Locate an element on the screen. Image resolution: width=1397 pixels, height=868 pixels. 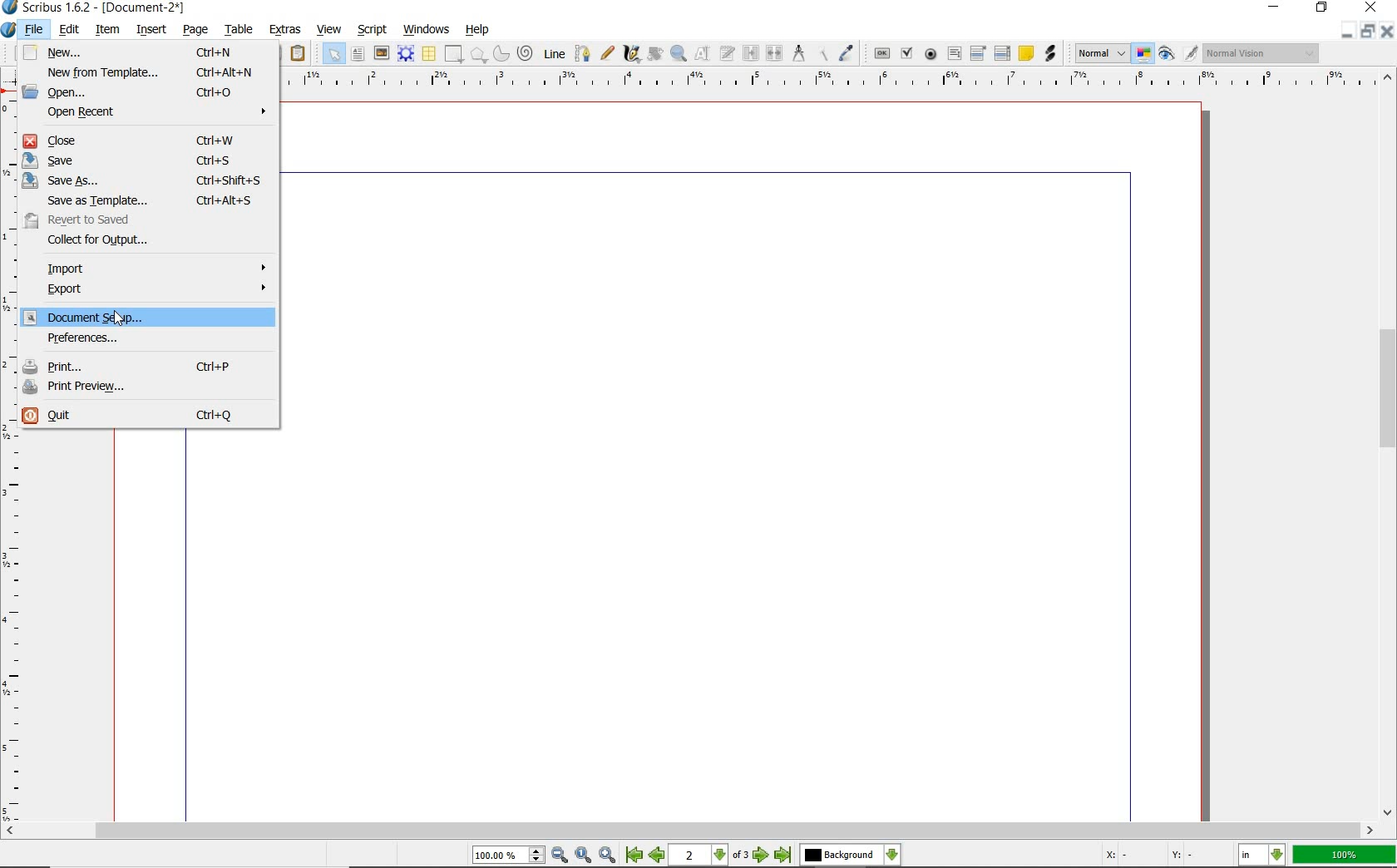
help is located at coordinates (478, 31).